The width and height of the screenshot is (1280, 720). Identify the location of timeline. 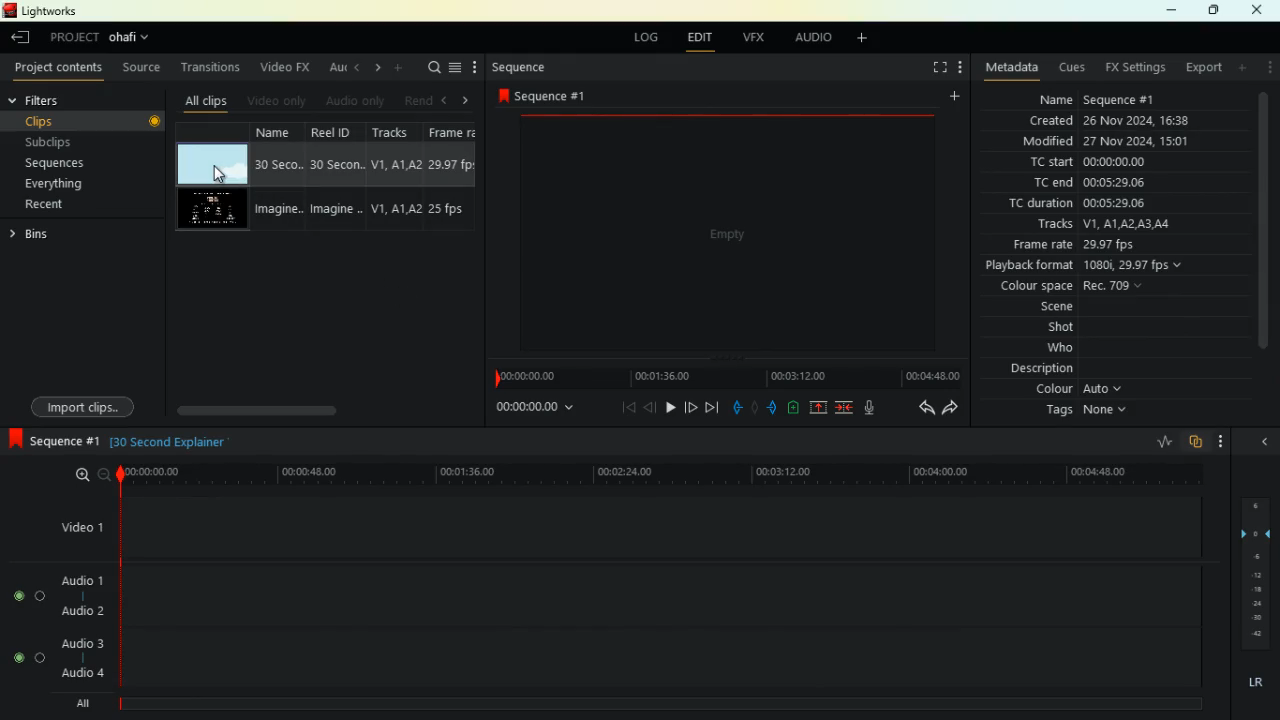
(722, 375).